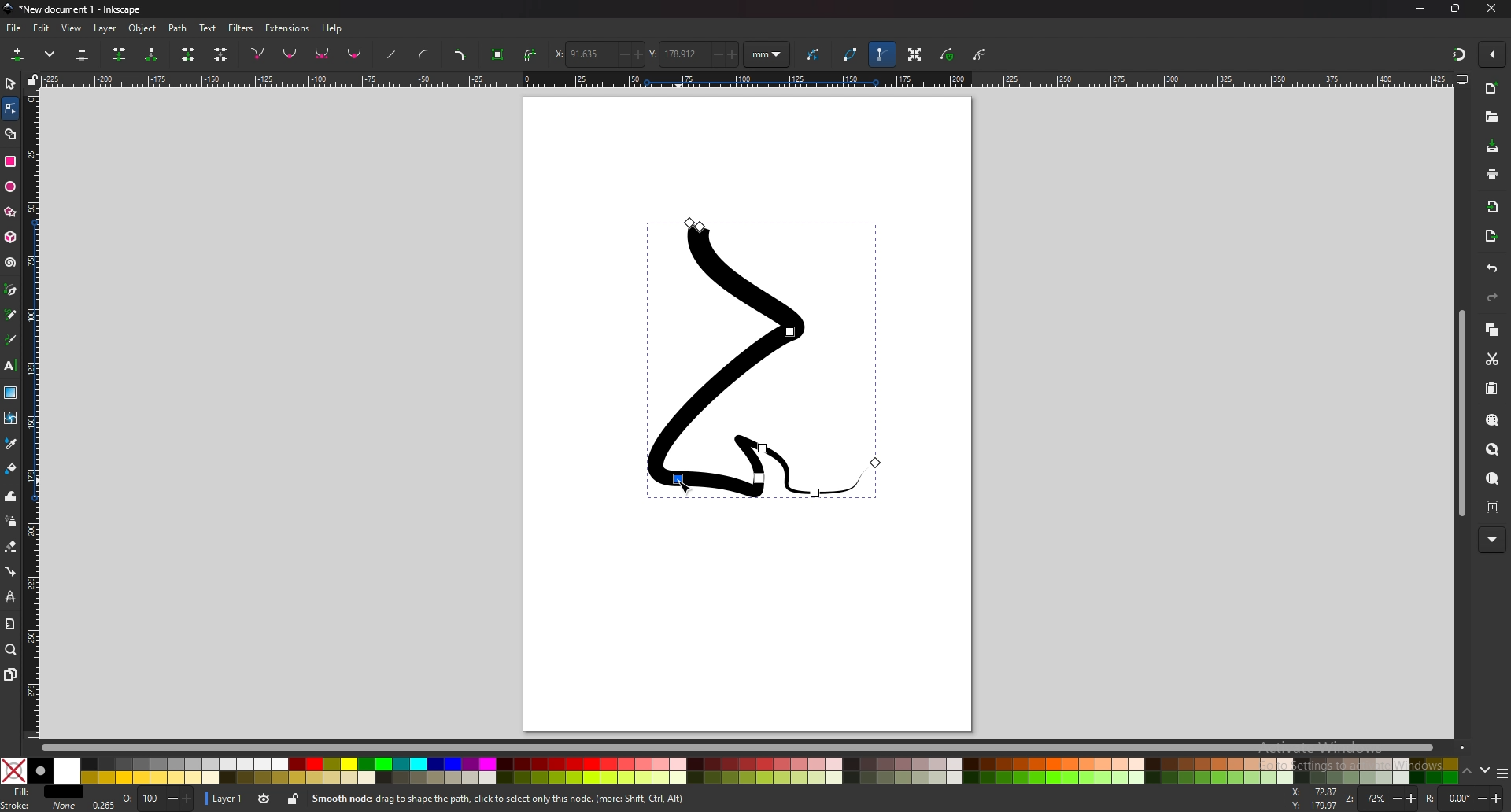 This screenshot has width=1511, height=812. I want to click on new, so click(1492, 90).